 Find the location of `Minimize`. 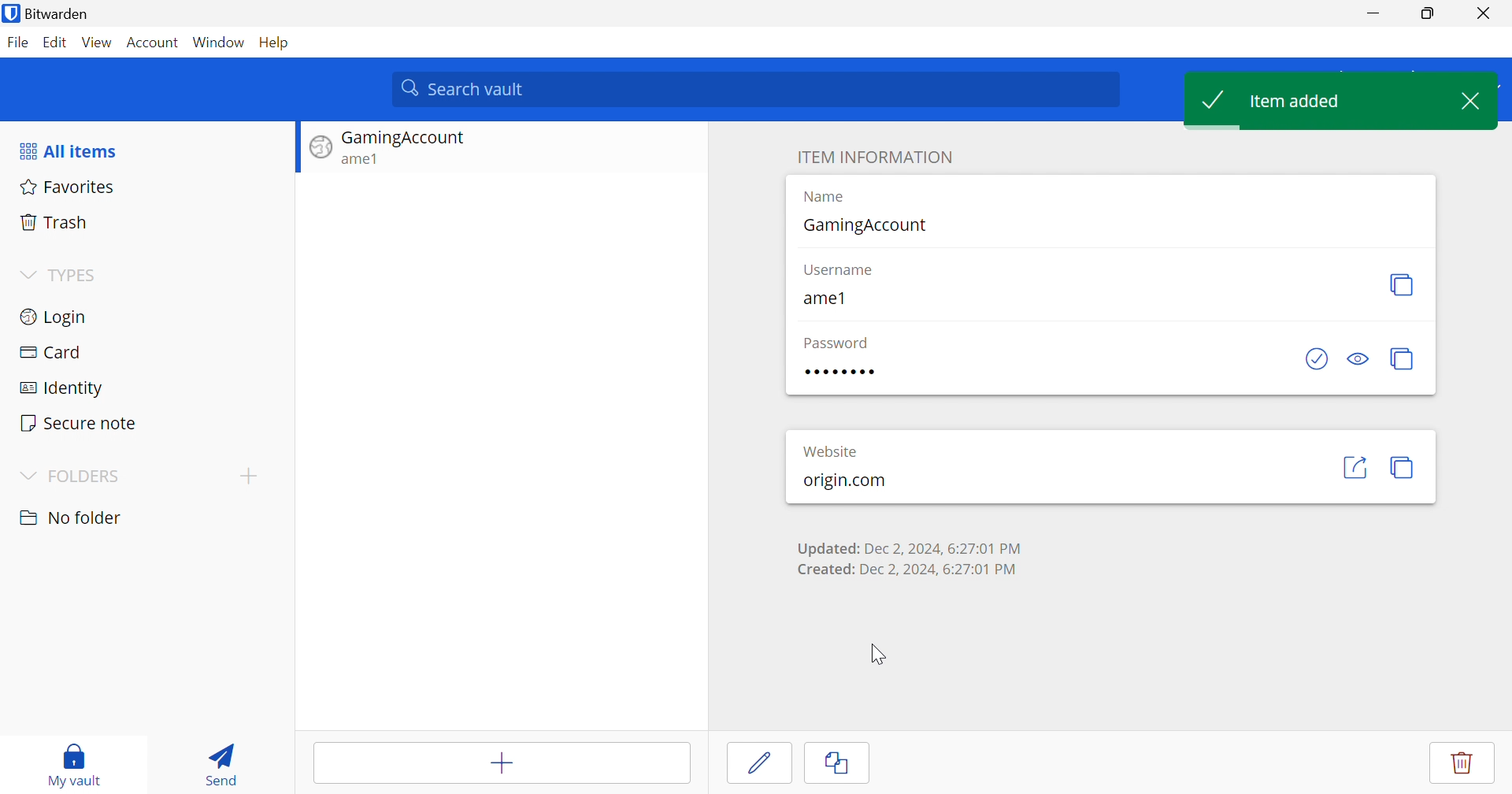

Minimize is located at coordinates (1373, 14).